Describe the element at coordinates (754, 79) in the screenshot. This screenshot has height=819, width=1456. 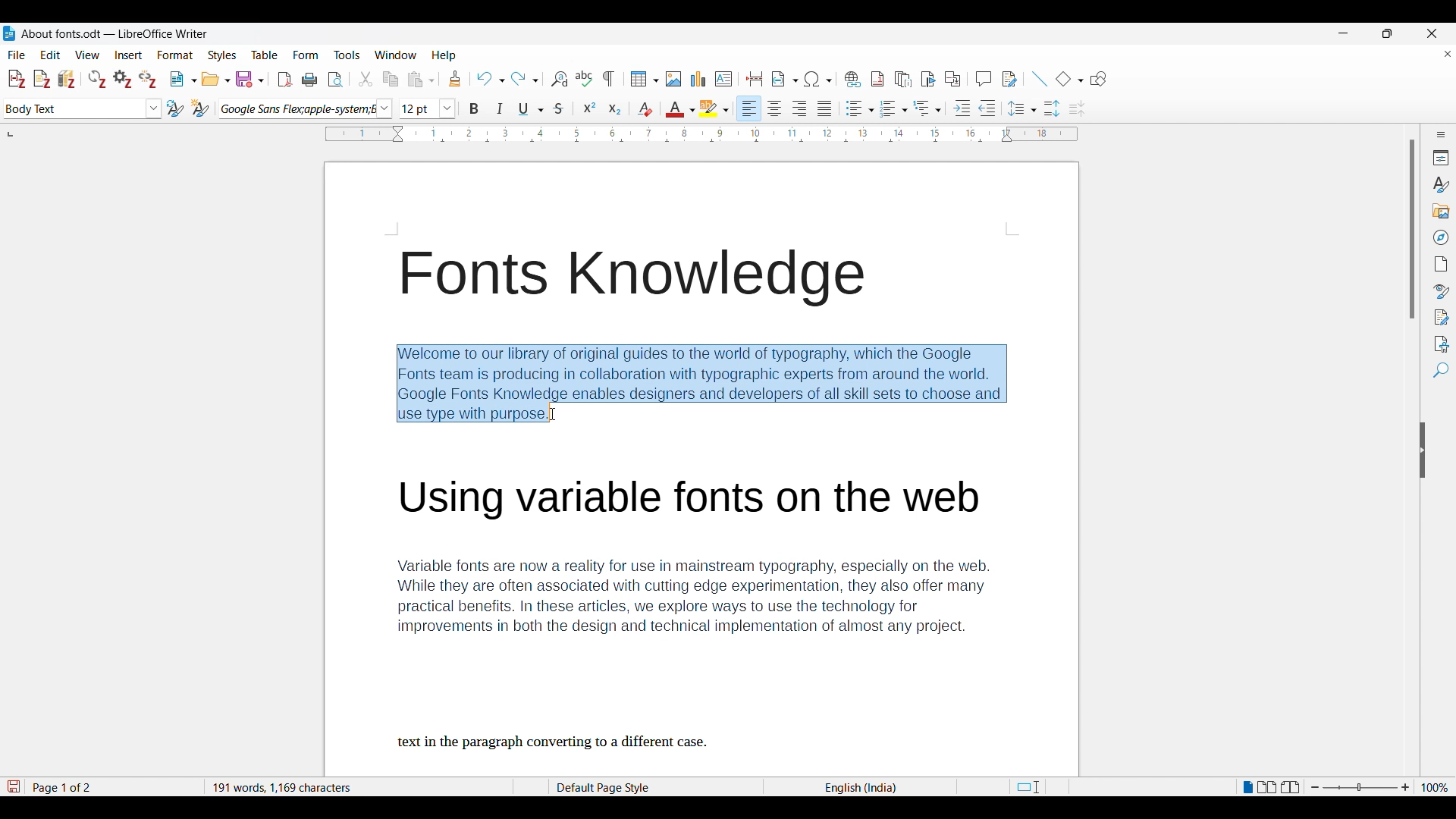
I see `Insert page break` at that location.